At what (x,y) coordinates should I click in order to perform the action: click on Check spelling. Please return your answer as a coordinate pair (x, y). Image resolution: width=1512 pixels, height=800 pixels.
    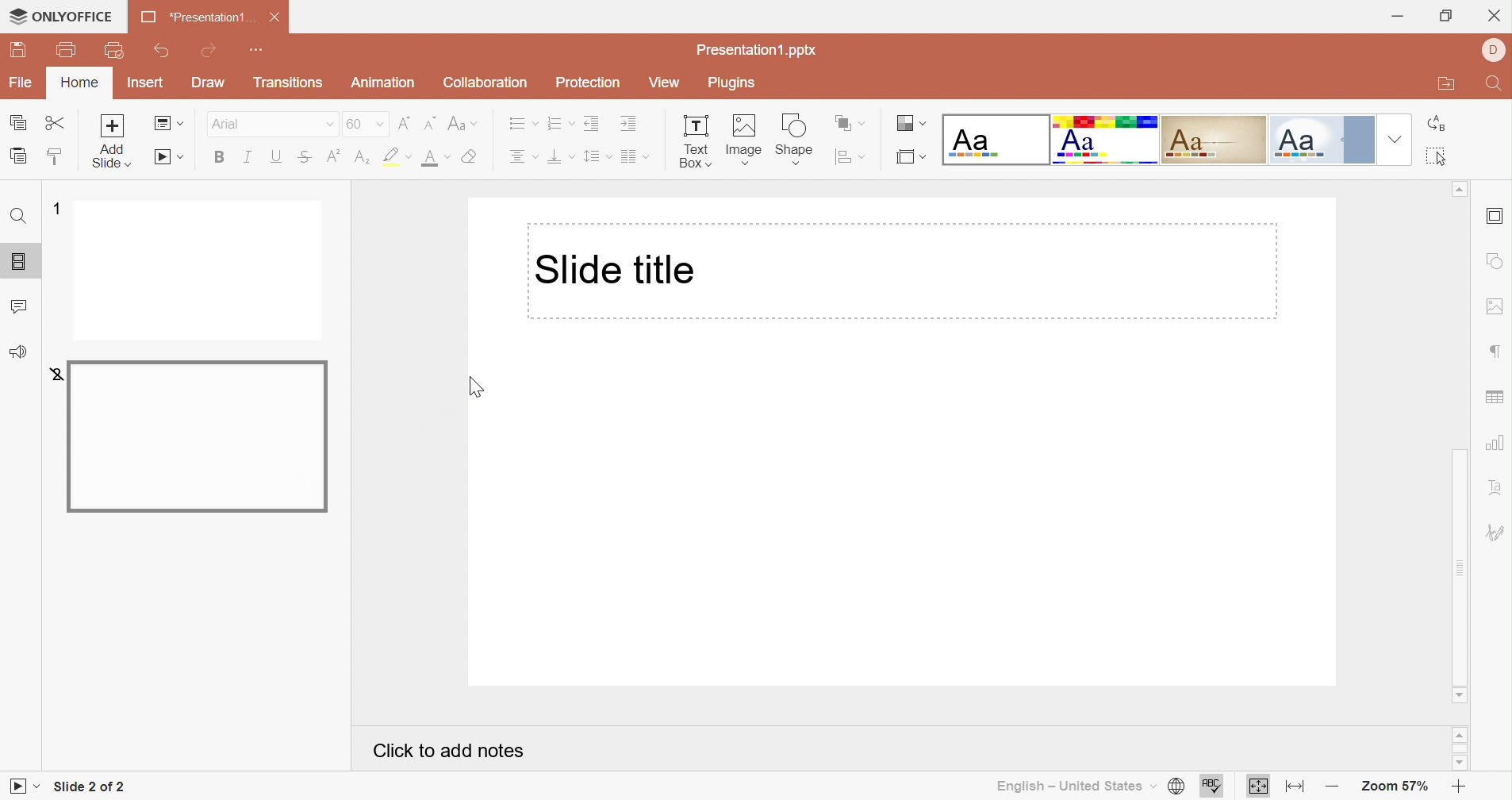
    Looking at the image, I should click on (1211, 787).